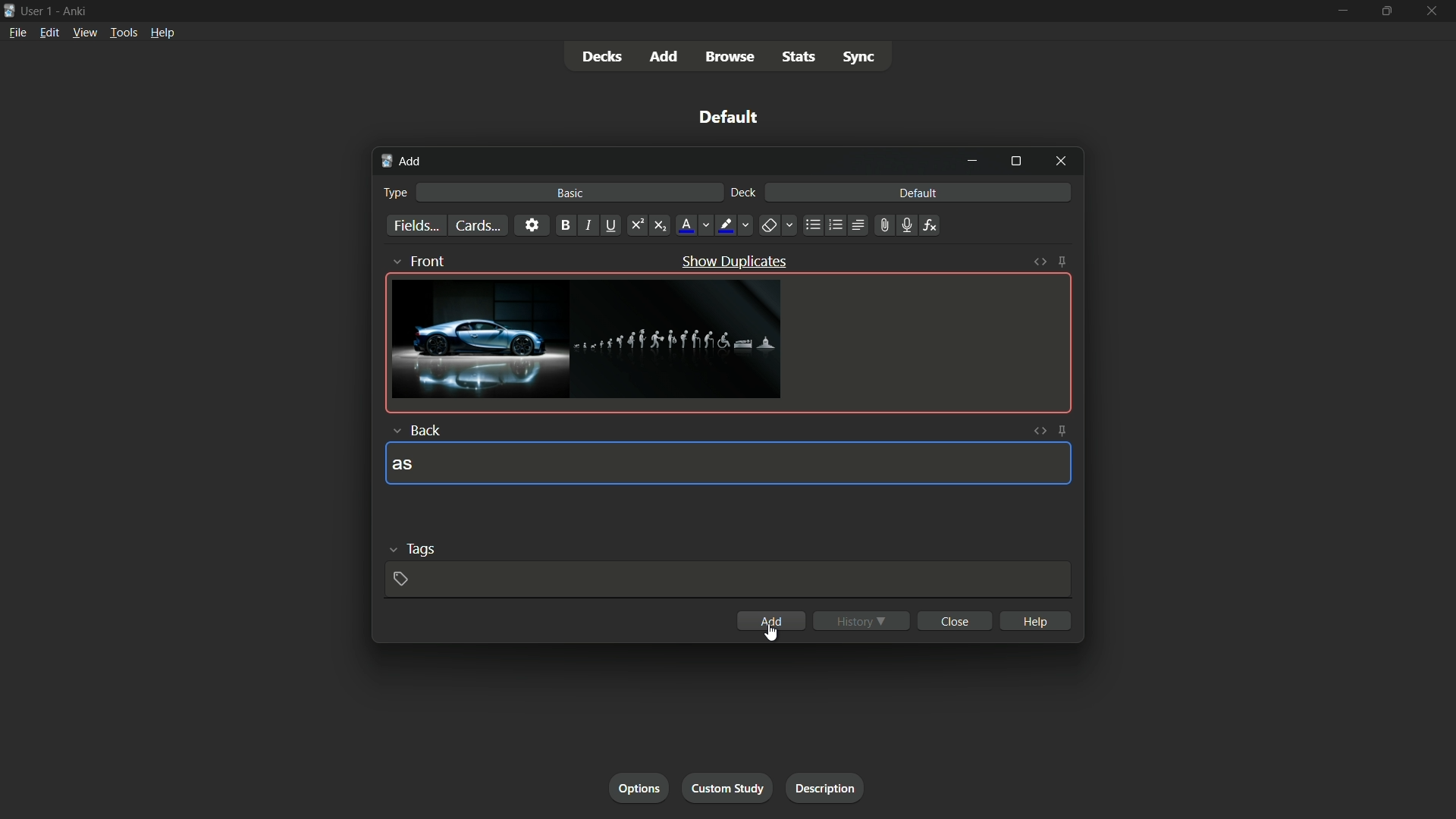  I want to click on minimize, so click(1341, 11).